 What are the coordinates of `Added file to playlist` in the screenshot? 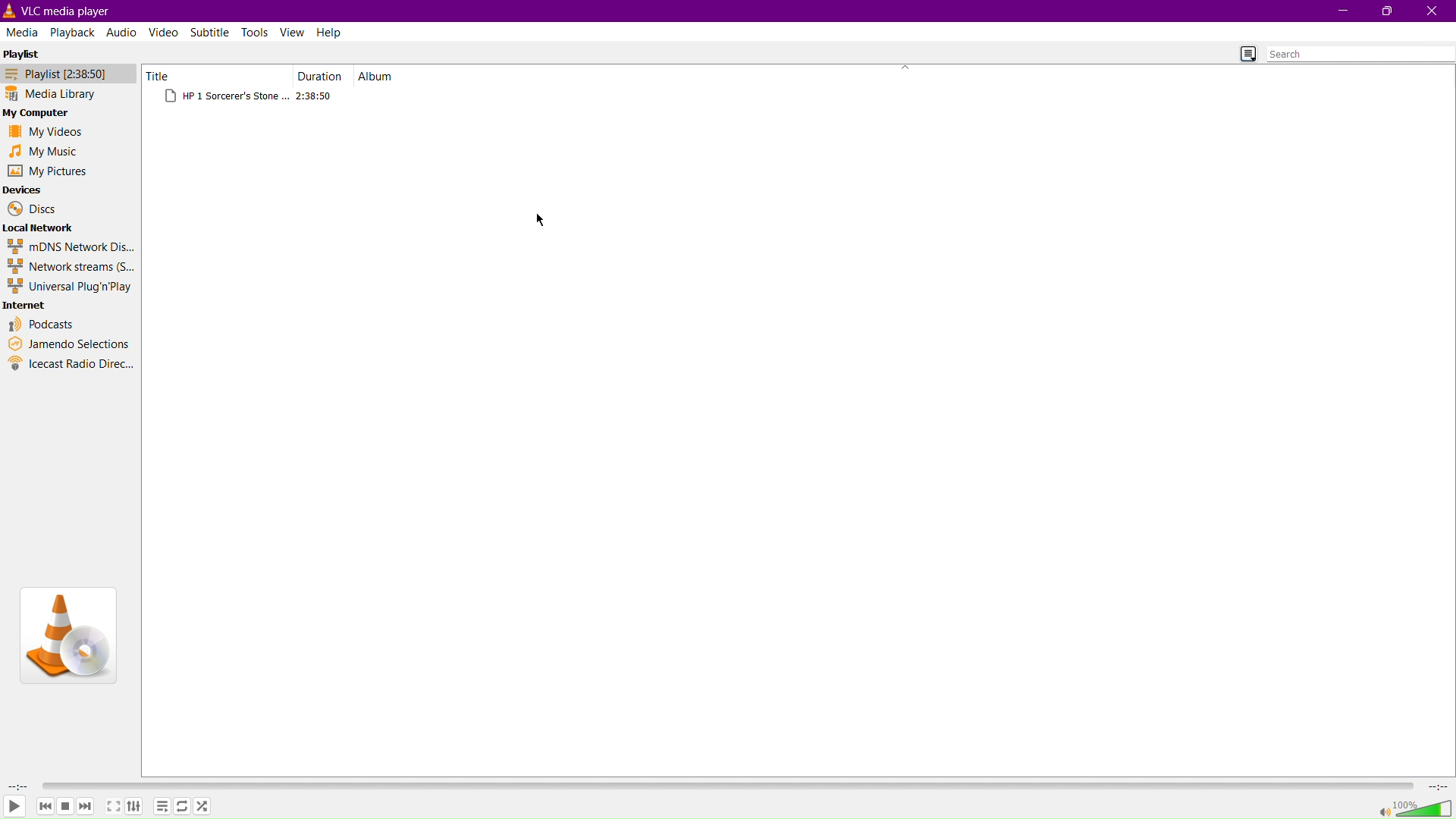 It's located at (251, 97).